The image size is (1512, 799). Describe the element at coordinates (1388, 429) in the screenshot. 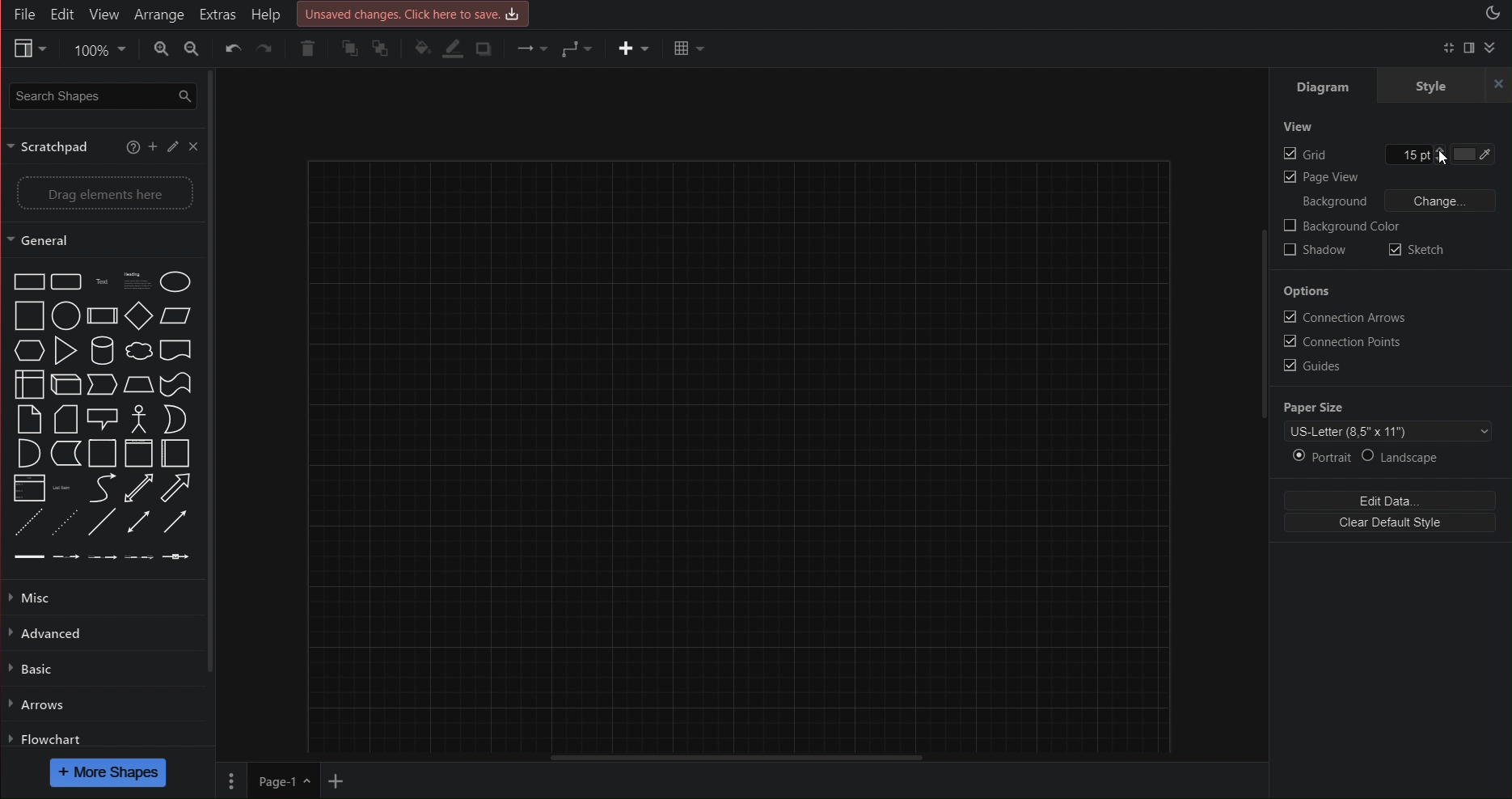

I see `US Letter (8.5 x 11)` at that location.